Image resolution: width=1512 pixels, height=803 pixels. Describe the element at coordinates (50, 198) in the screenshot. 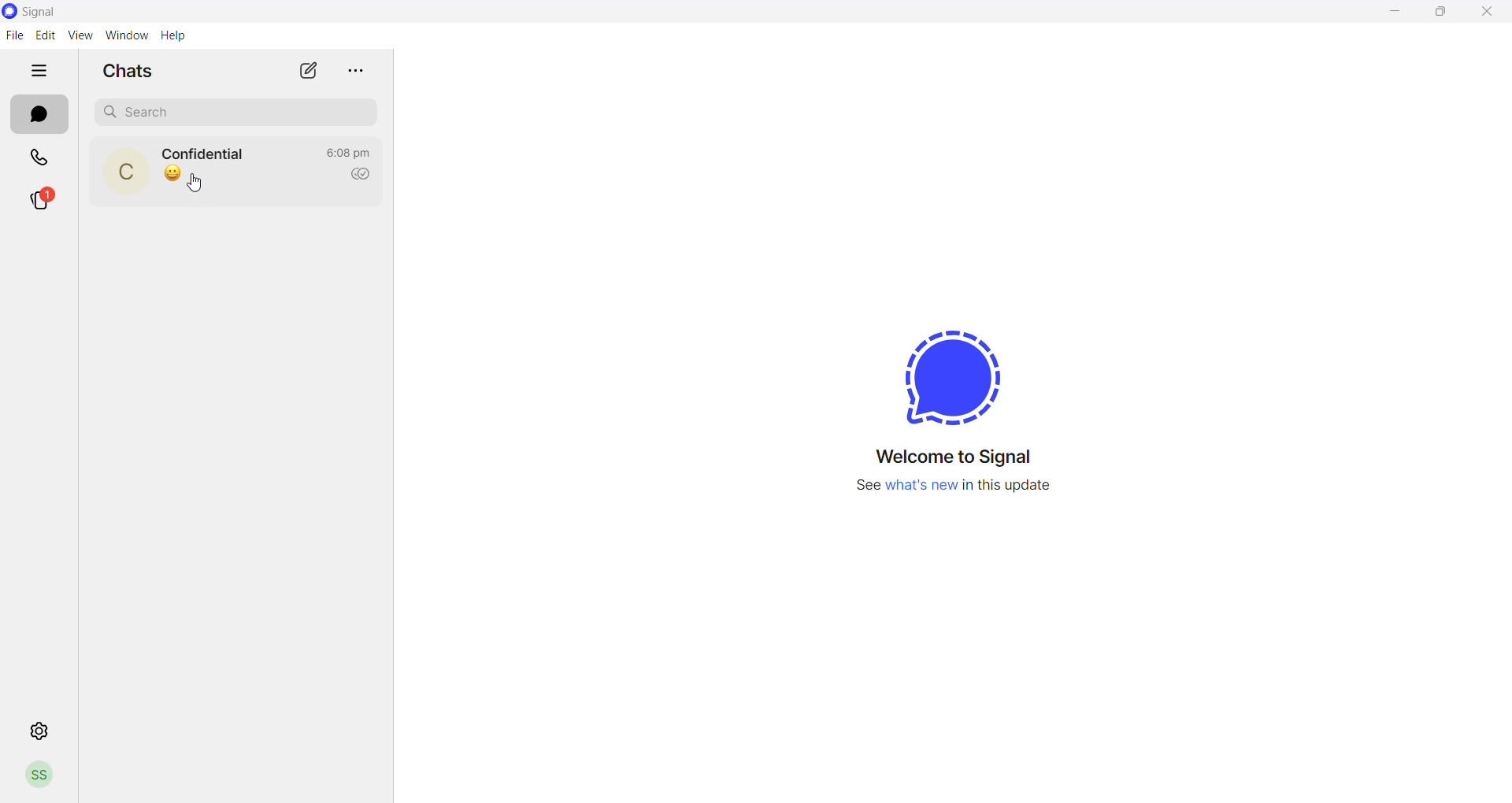

I see `stories` at that location.